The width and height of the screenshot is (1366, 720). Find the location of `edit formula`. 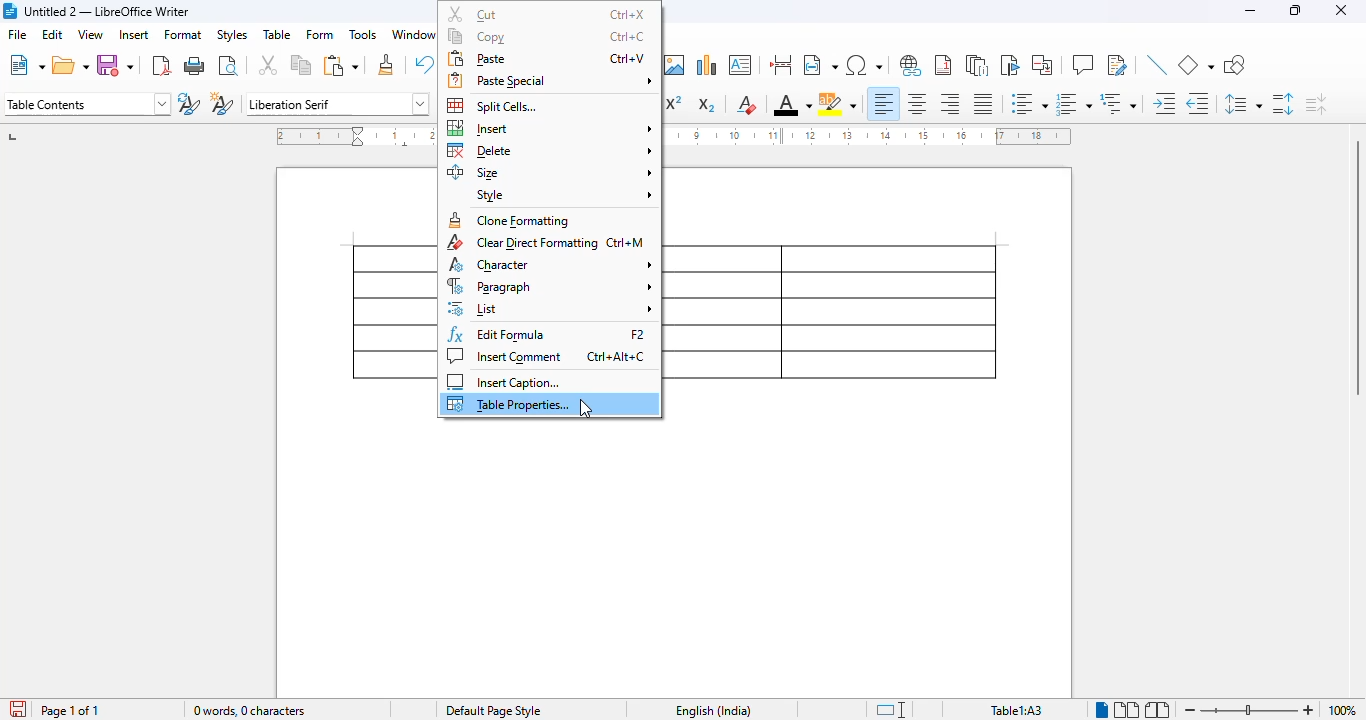

edit formula is located at coordinates (496, 333).